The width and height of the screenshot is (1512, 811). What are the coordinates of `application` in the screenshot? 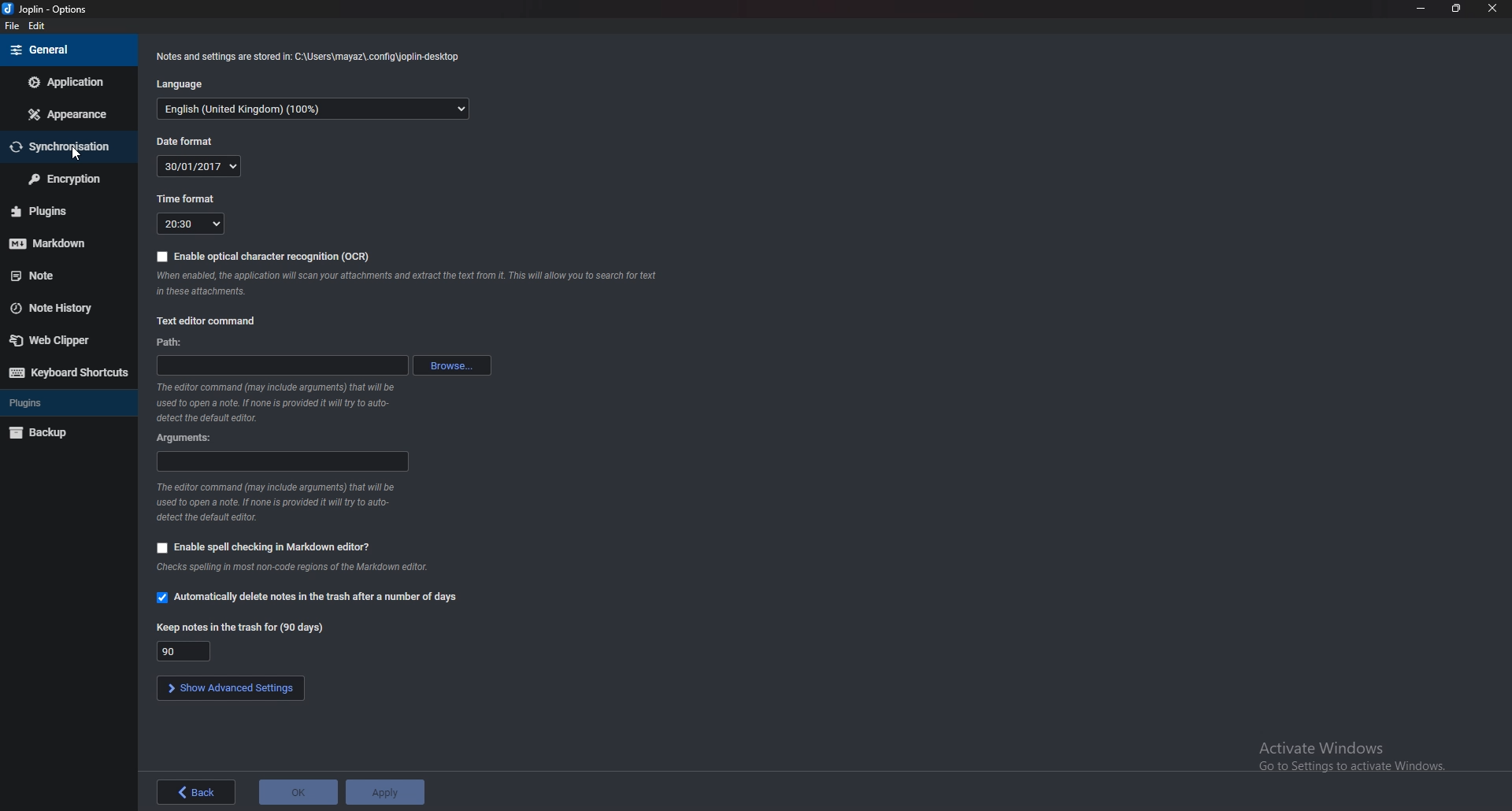 It's located at (69, 83).